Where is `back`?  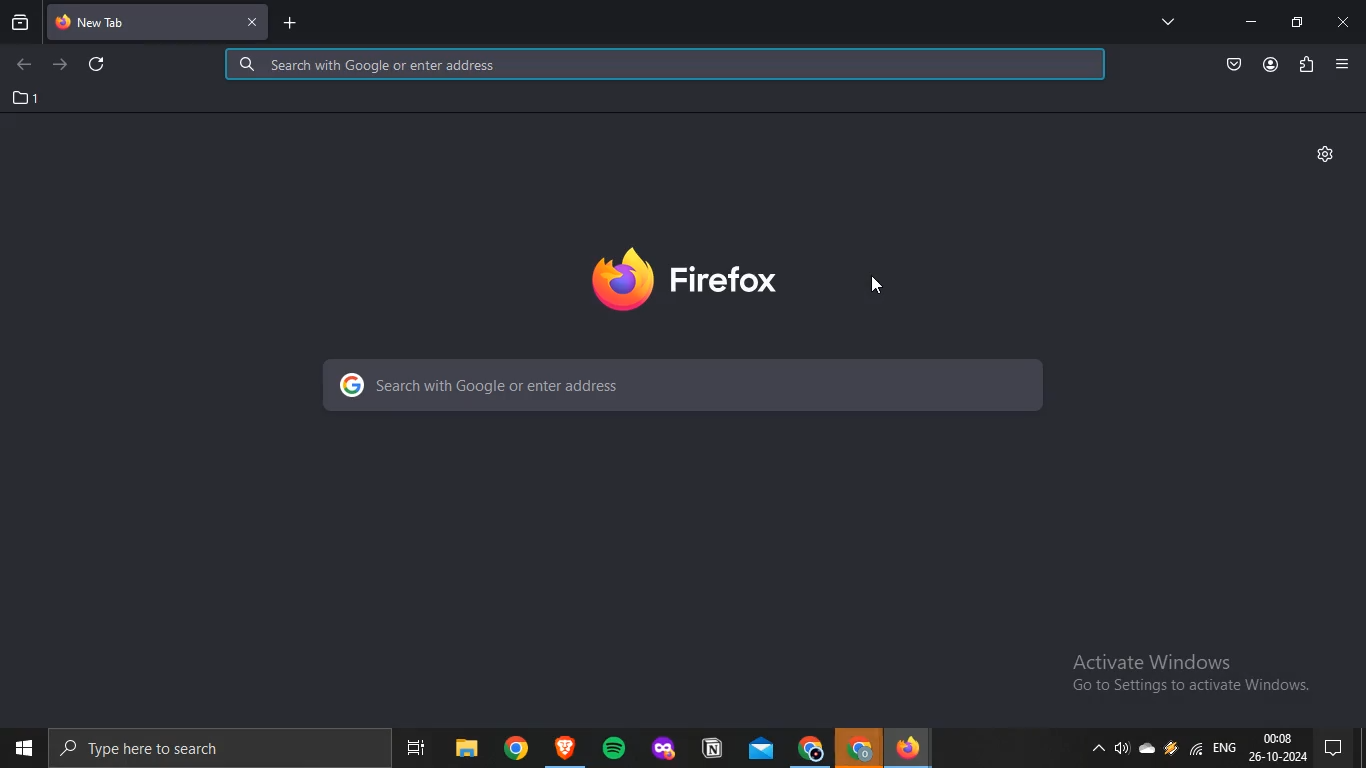
back is located at coordinates (23, 65).